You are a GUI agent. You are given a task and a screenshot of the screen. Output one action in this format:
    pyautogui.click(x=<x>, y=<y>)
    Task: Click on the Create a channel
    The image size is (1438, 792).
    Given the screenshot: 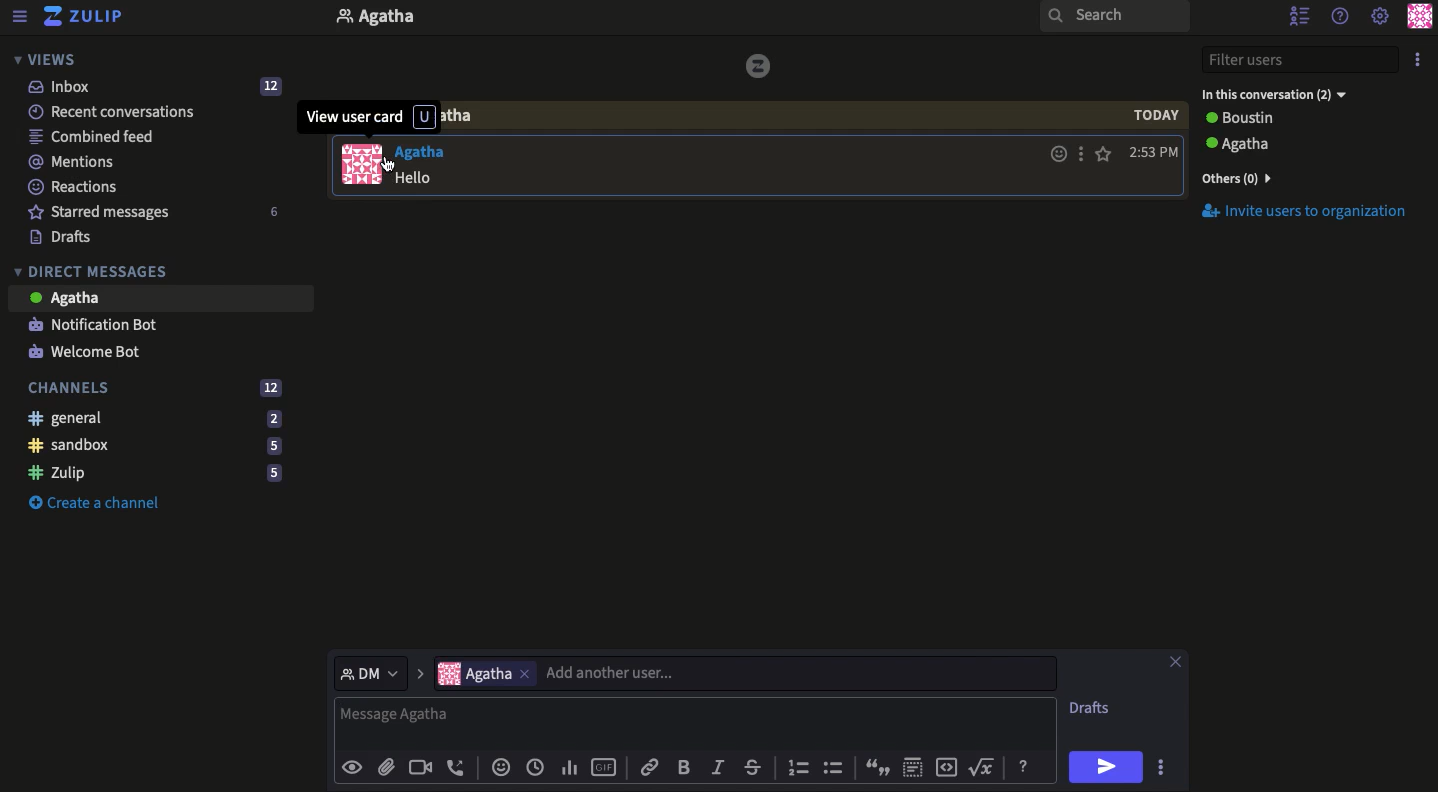 What is the action you would take?
    pyautogui.click(x=100, y=502)
    